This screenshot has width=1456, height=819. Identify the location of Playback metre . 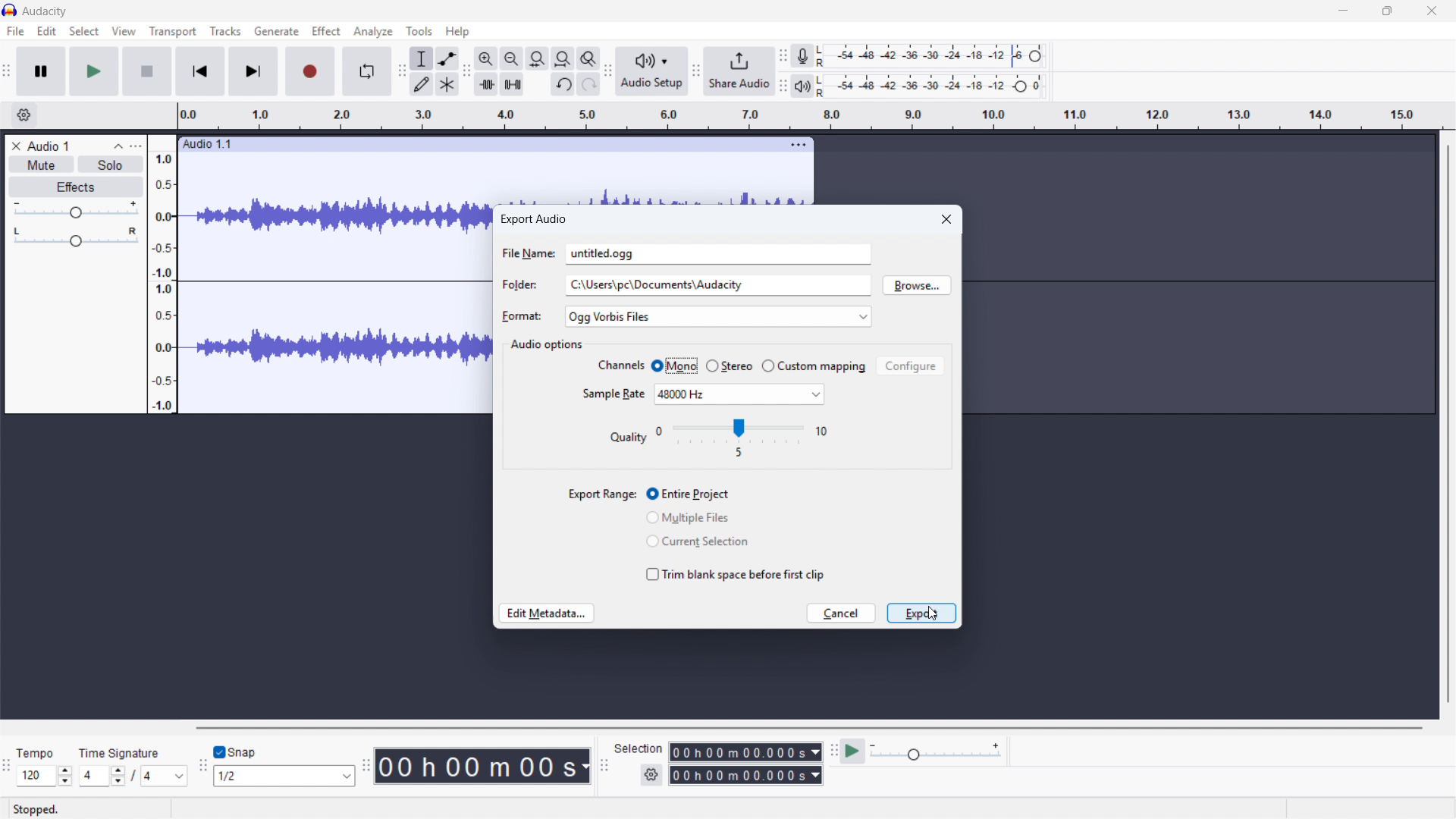
(803, 86).